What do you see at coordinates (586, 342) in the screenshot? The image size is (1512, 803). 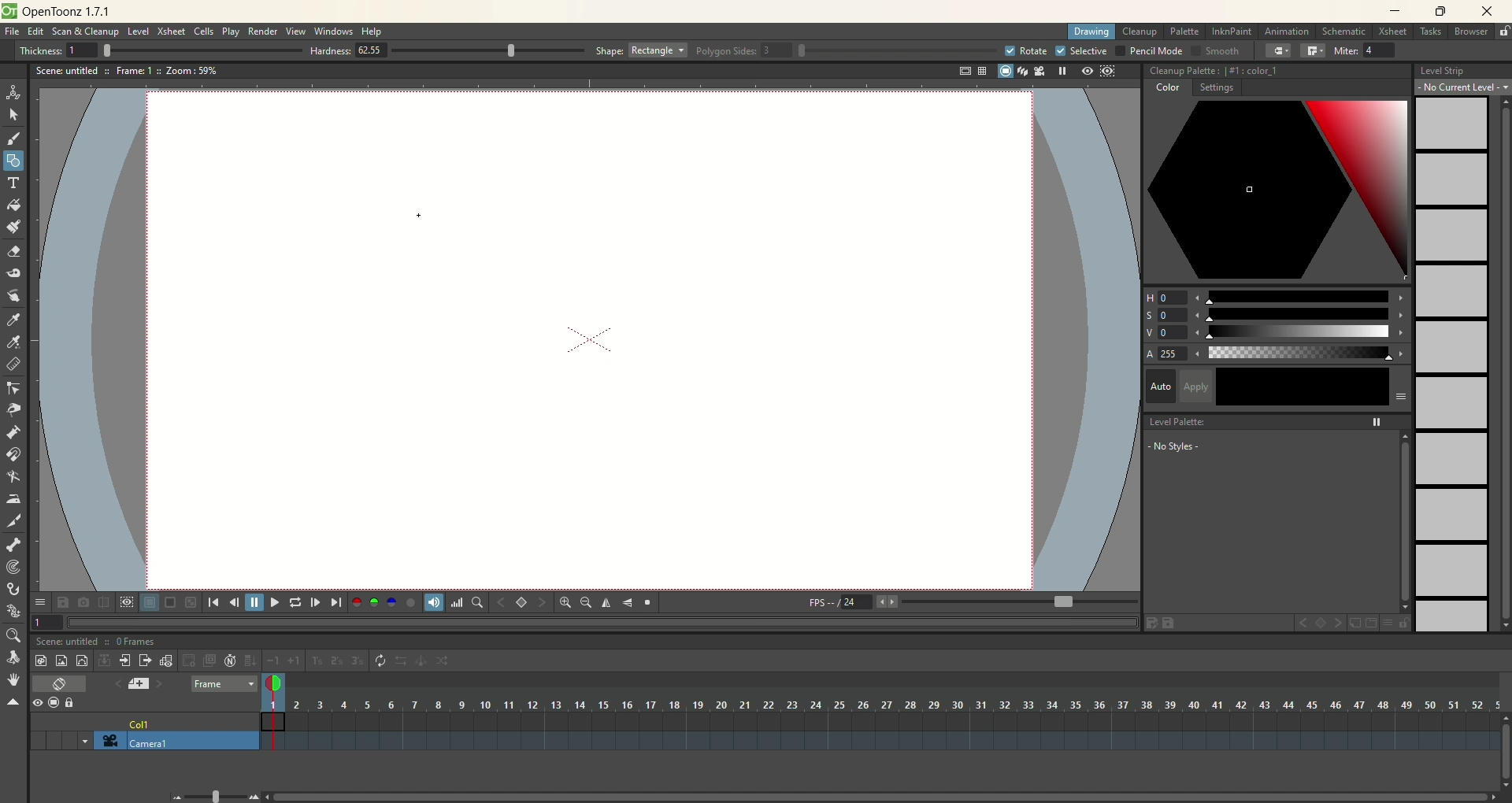 I see `working space` at bounding box center [586, 342].